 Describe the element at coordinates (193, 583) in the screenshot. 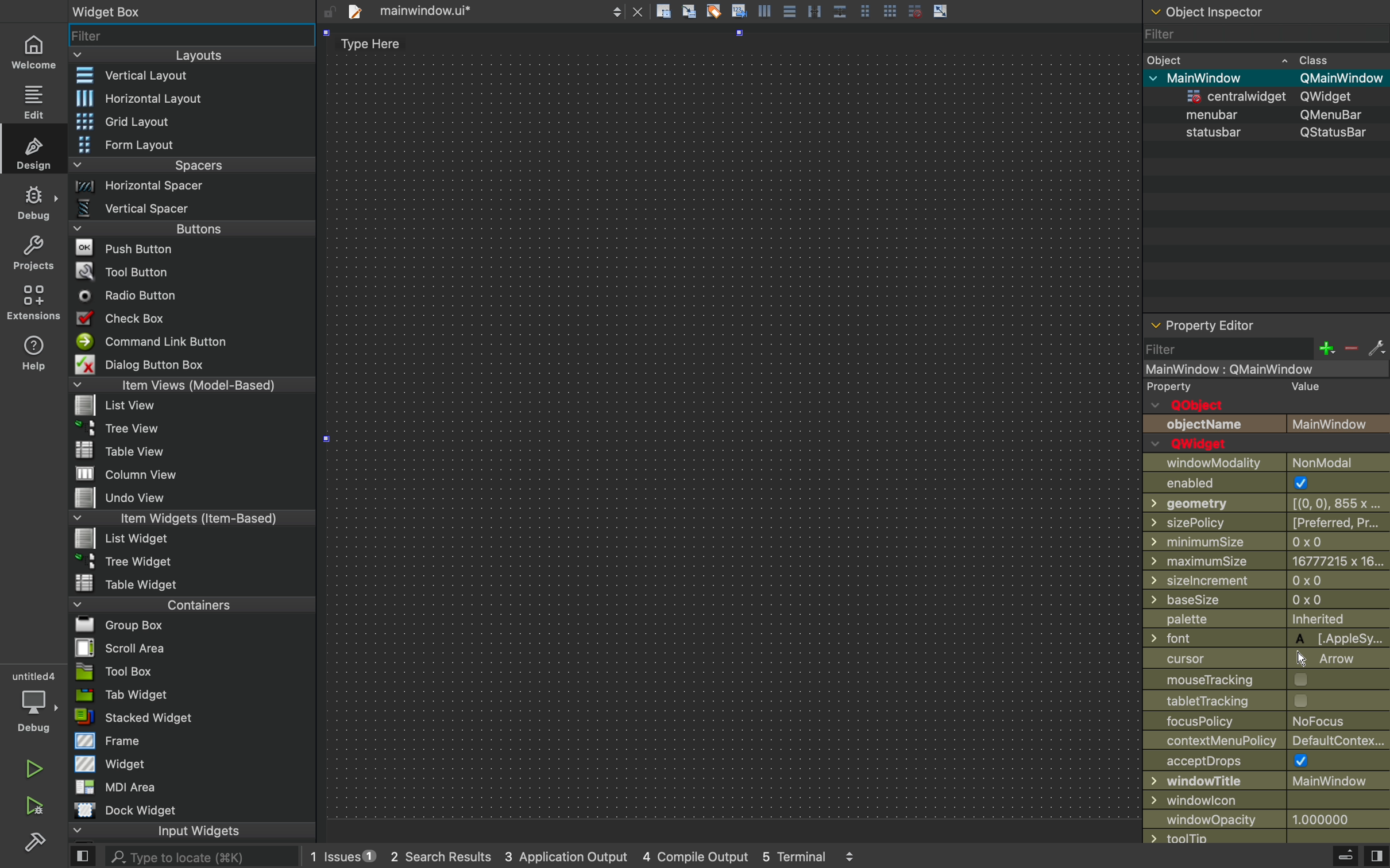

I see `table widget` at that location.